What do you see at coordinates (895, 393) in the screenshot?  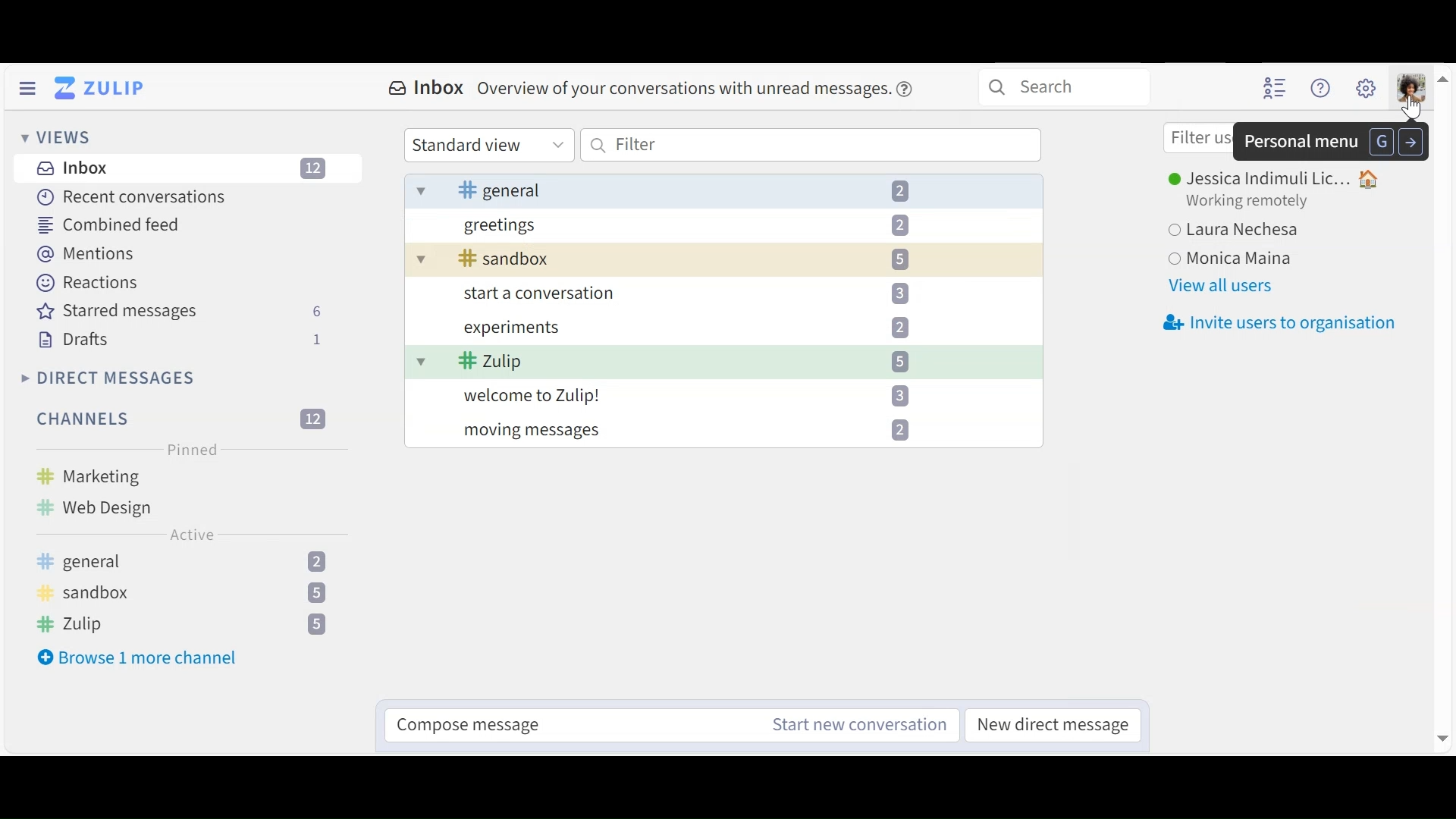 I see `3` at bounding box center [895, 393].